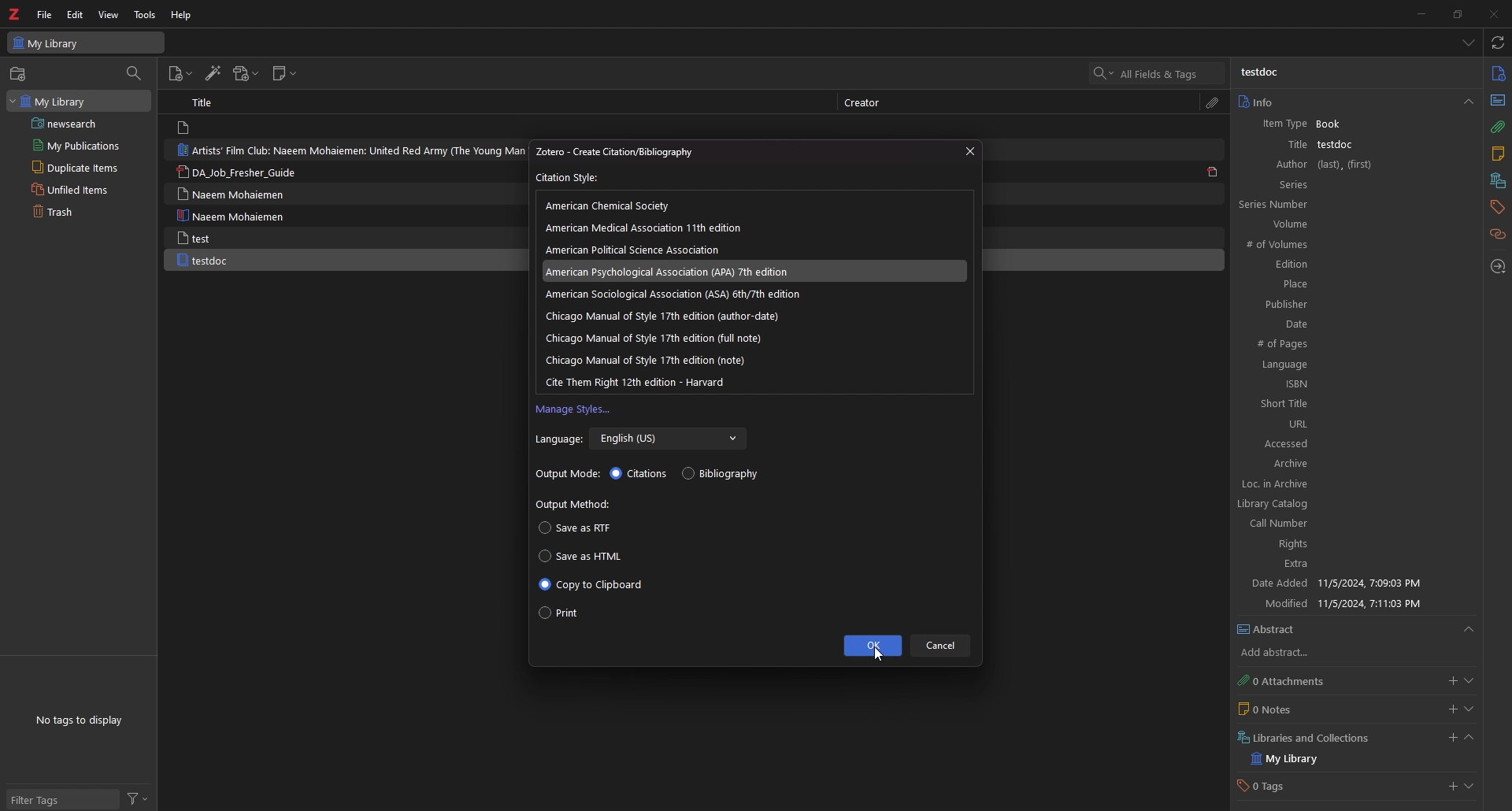 Image resolution: width=1512 pixels, height=811 pixels. What do you see at coordinates (76, 14) in the screenshot?
I see `edit` at bounding box center [76, 14].